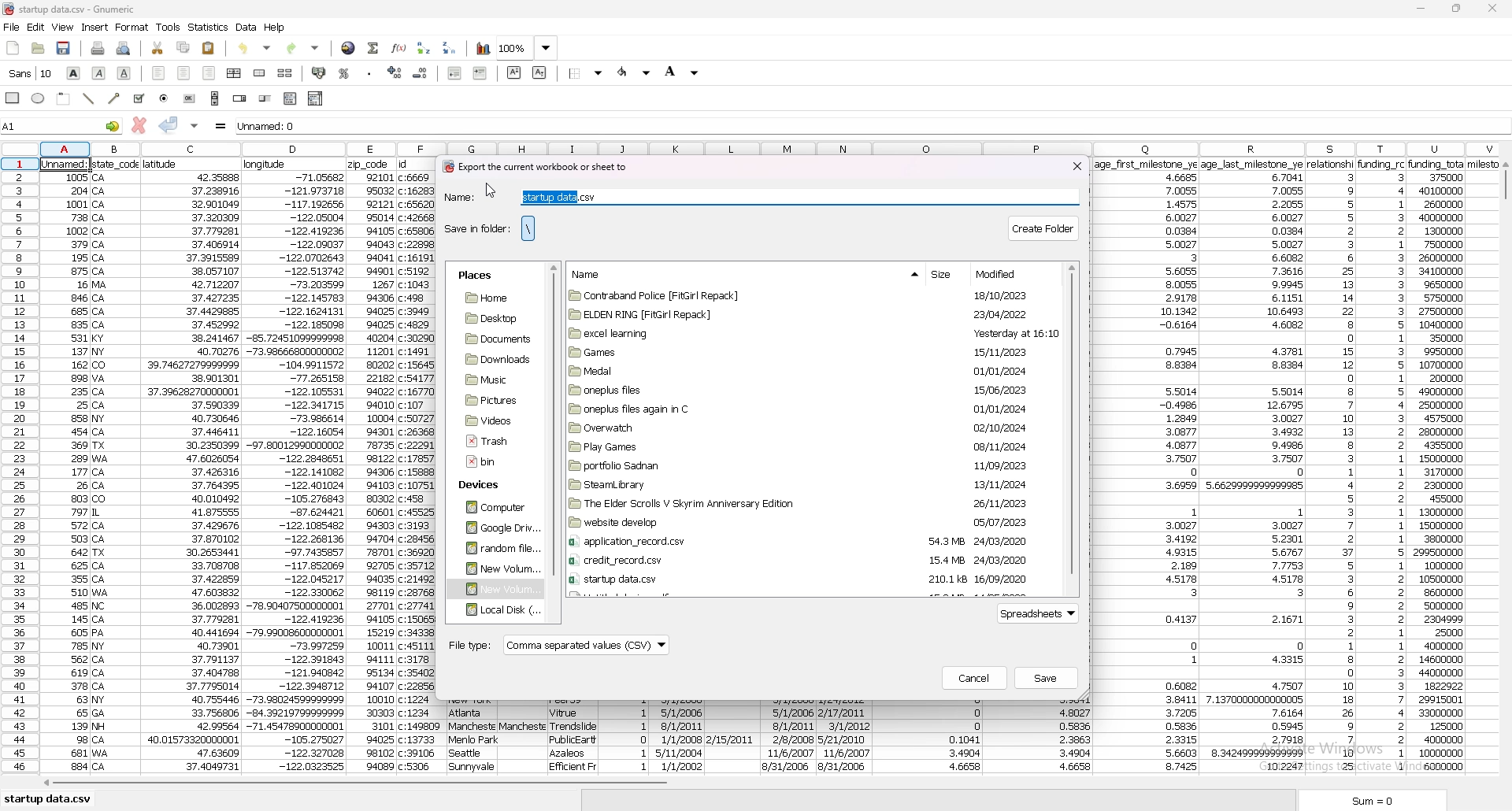  Describe the element at coordinates (1072, 428) in the screenshot. I see `scroll bar` at that location.